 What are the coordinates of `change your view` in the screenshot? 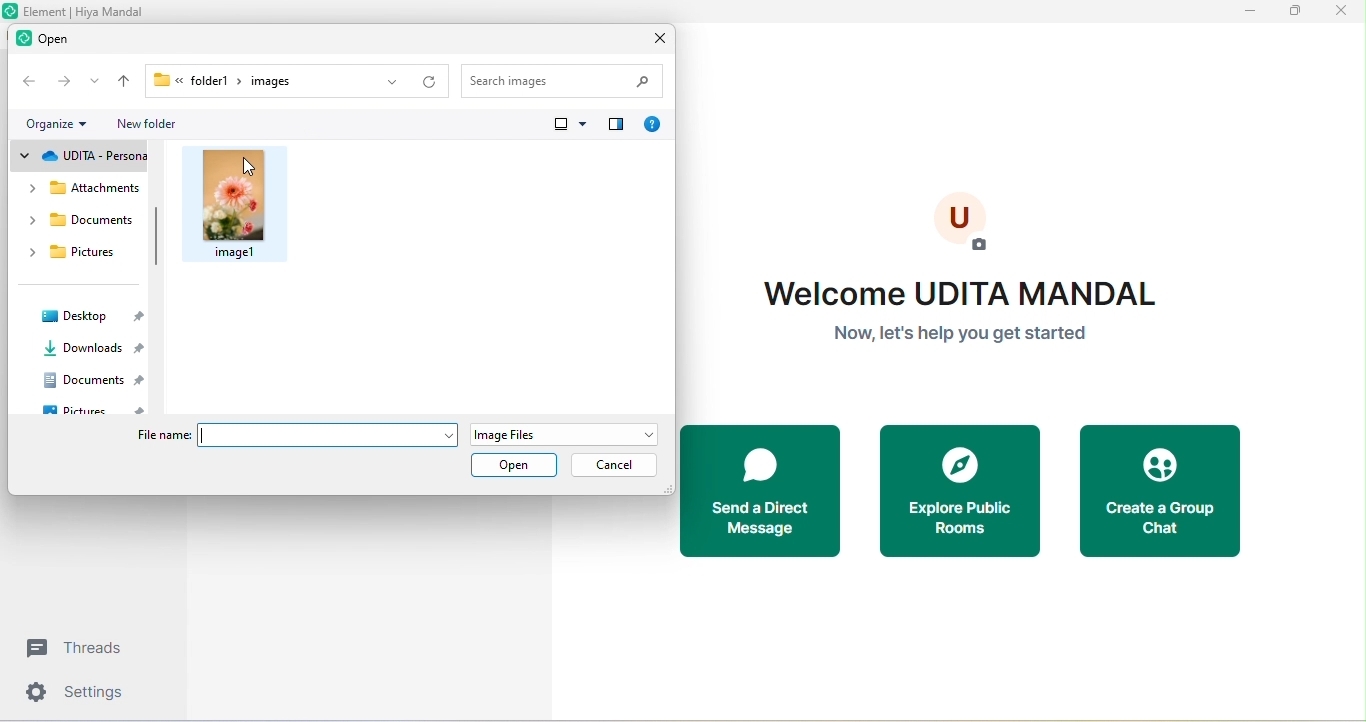 It's located at (568, 126).